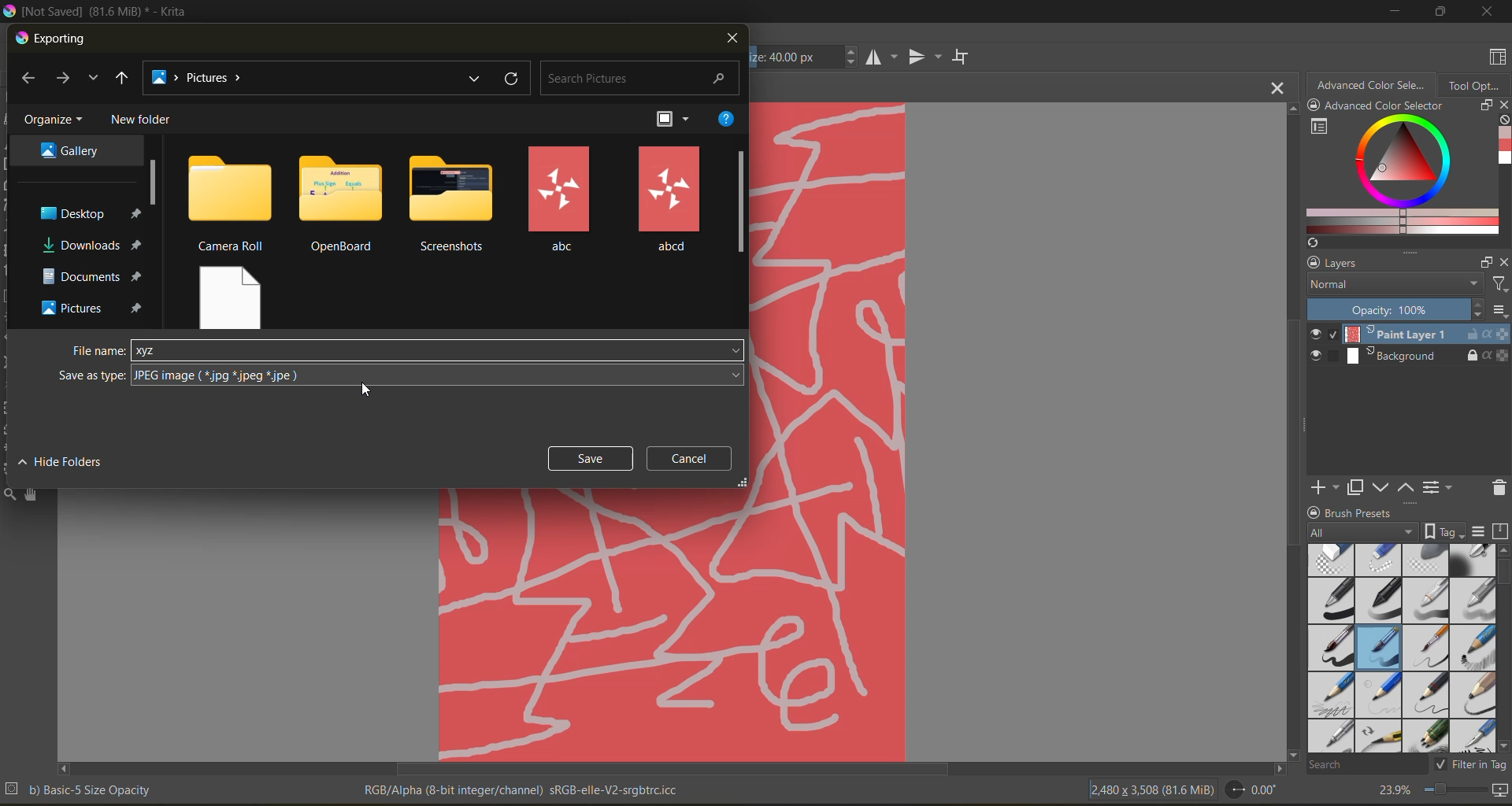  What do you see at coordinates (678, 120) in the screenshot?
I see `change view` at bounding box center [678, 120].